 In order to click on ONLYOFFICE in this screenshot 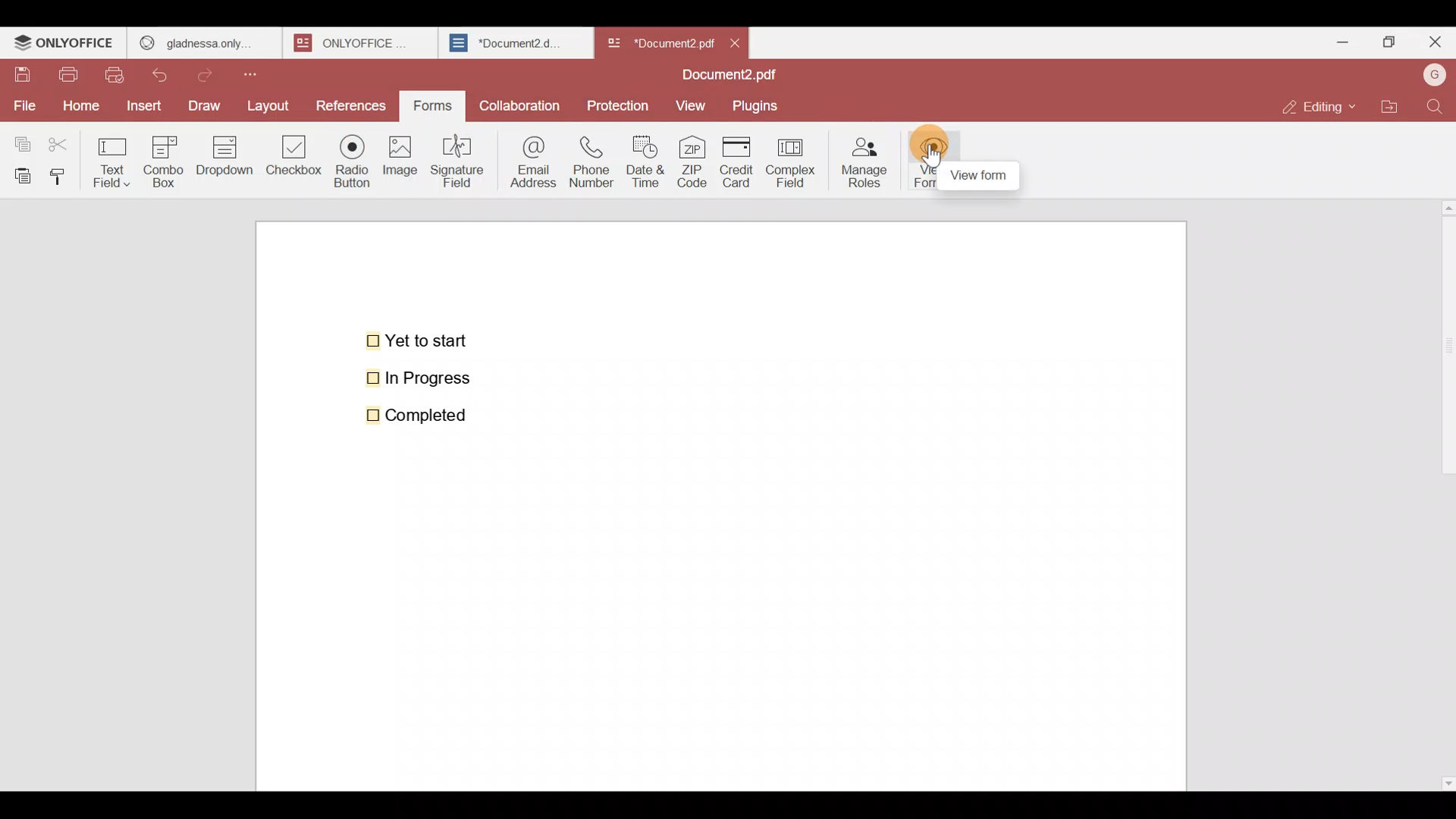, I will do `click(64, 45)`.